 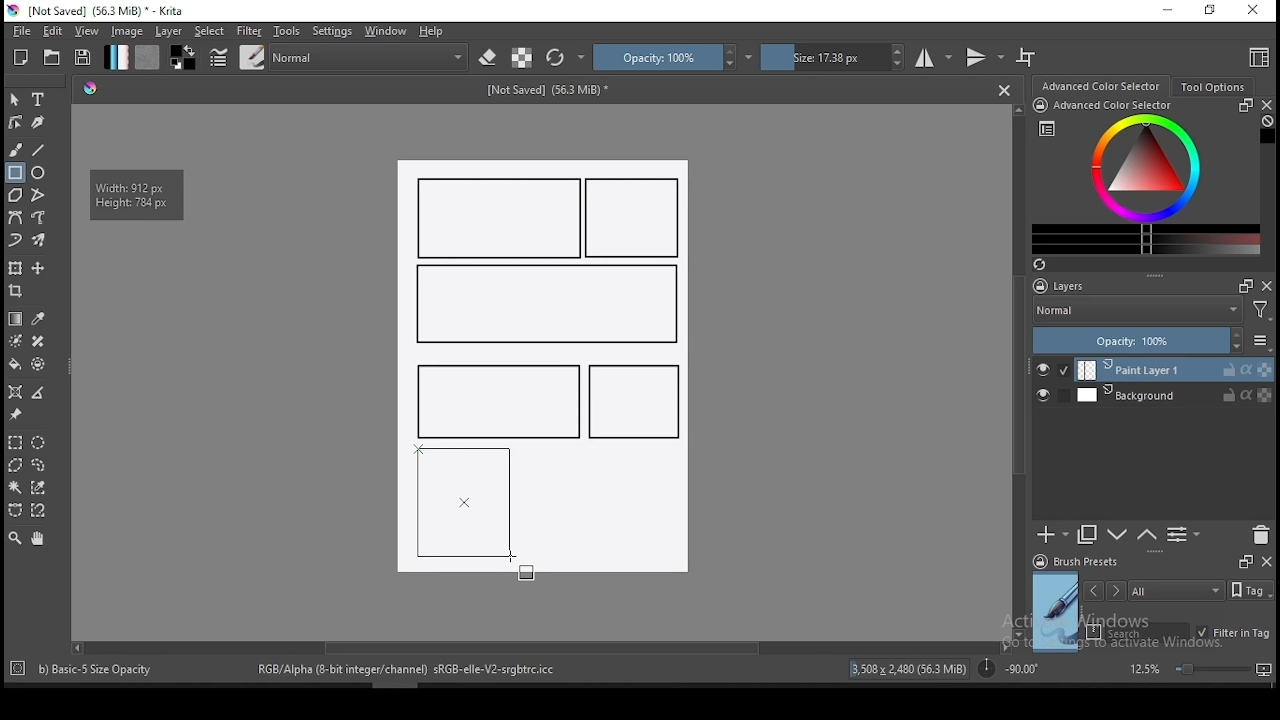 I want to click on line tool, so click(x=39, y=150).